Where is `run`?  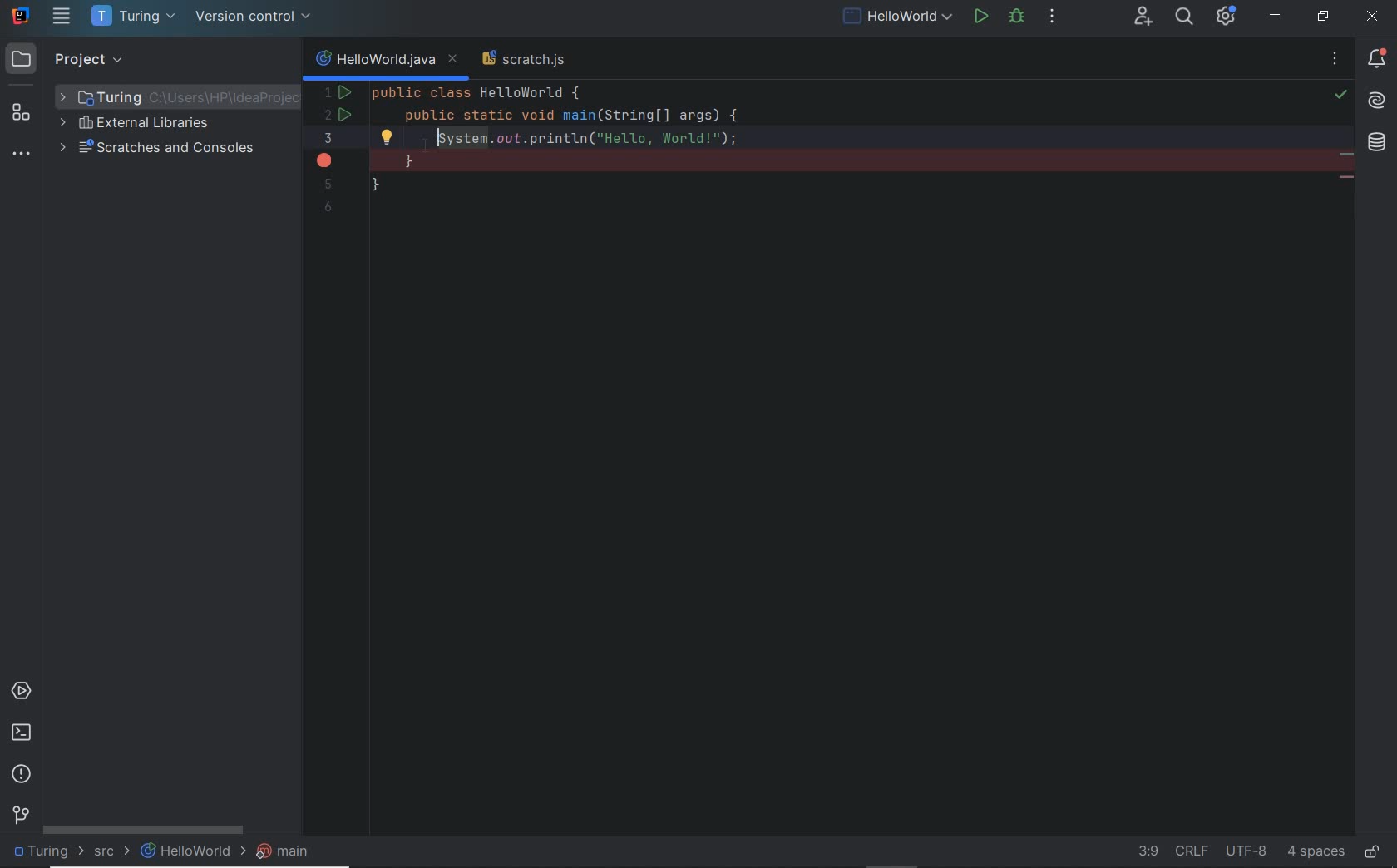
run is located at coordinates (980, 17).